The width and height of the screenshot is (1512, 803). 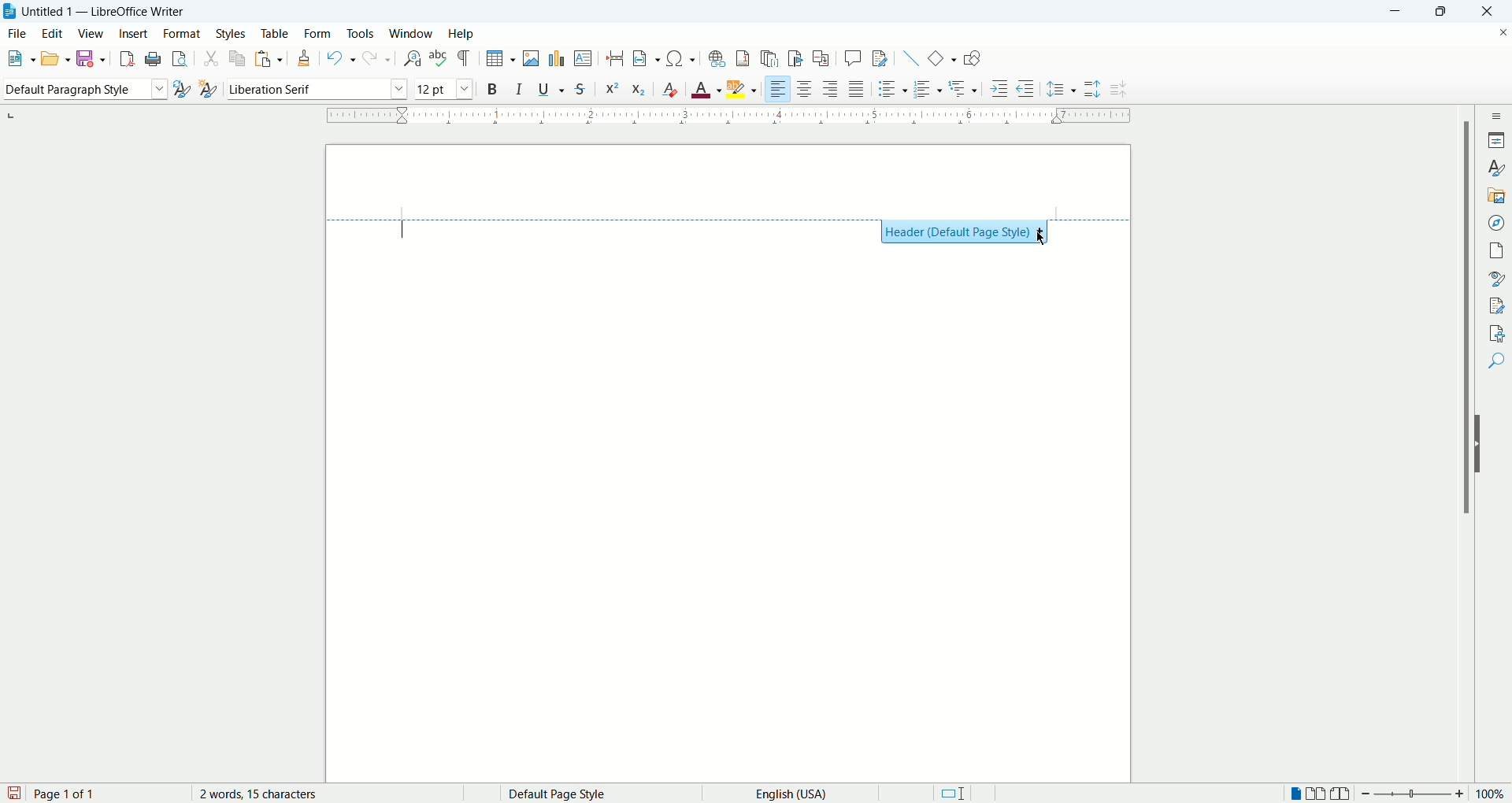 I want to click on insert line, so click(x=910, y=57).